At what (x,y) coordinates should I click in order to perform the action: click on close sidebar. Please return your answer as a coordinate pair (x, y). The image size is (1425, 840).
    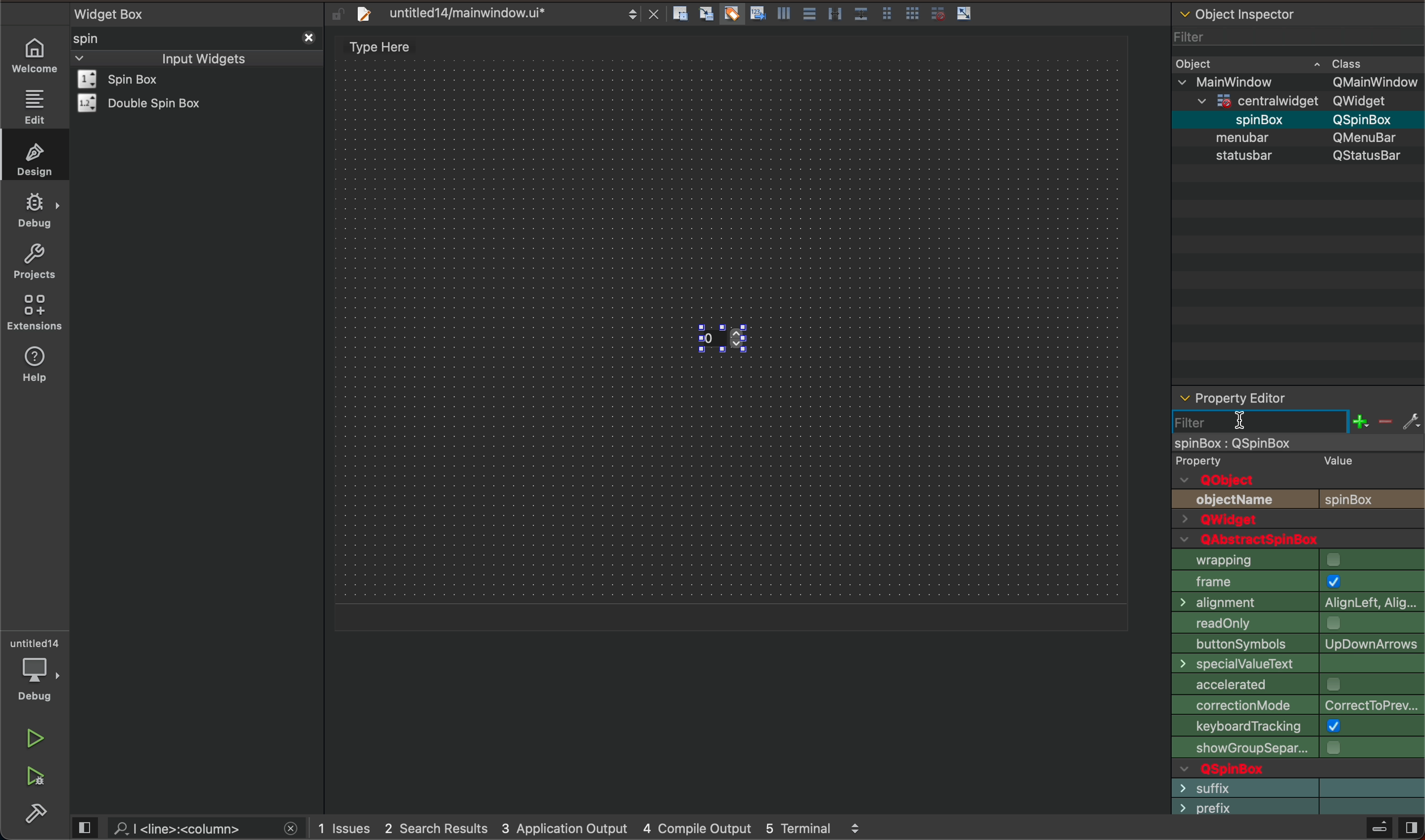
    Looking at the image, I should click on (1392, 828).